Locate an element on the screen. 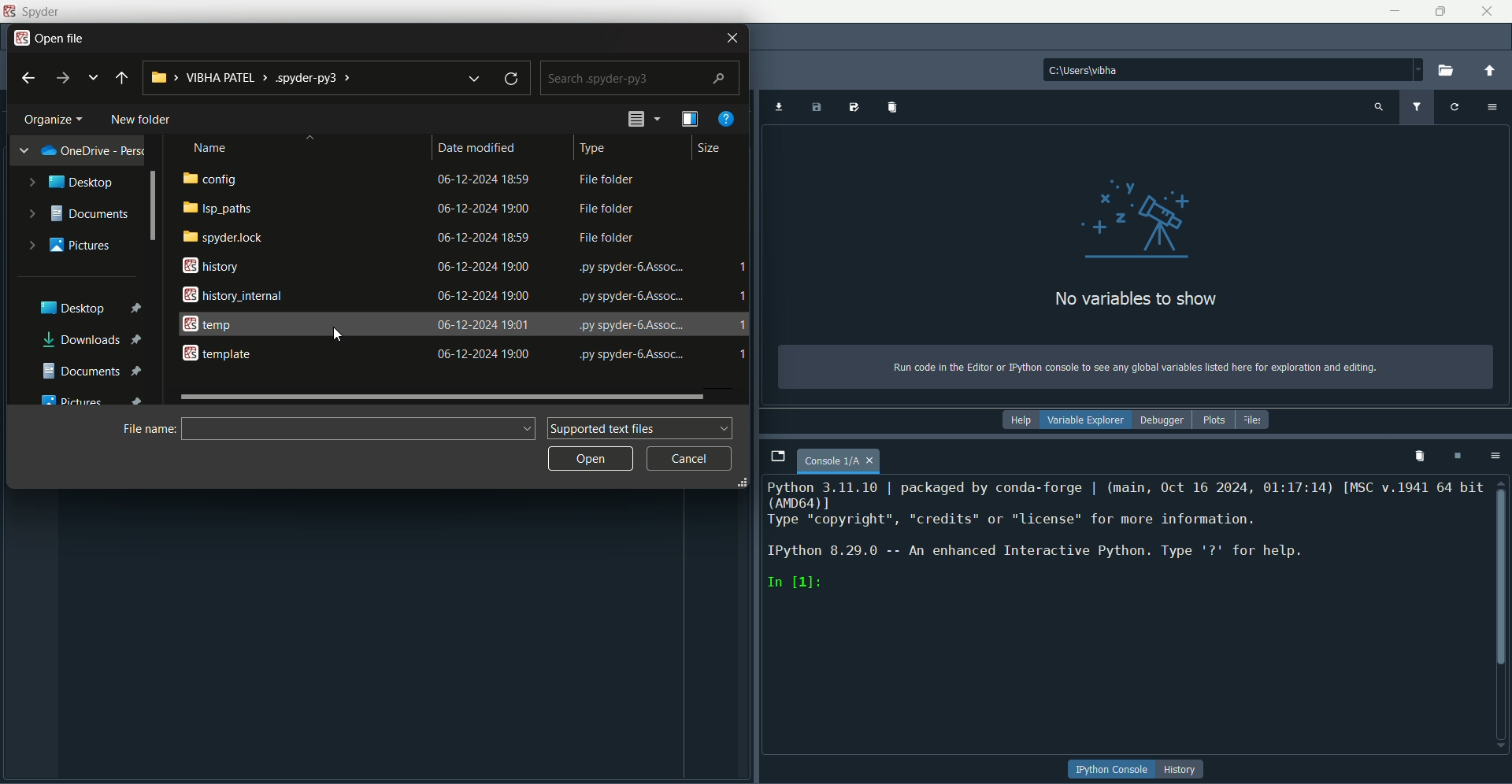  import variables is located at coordinates (891, 108).